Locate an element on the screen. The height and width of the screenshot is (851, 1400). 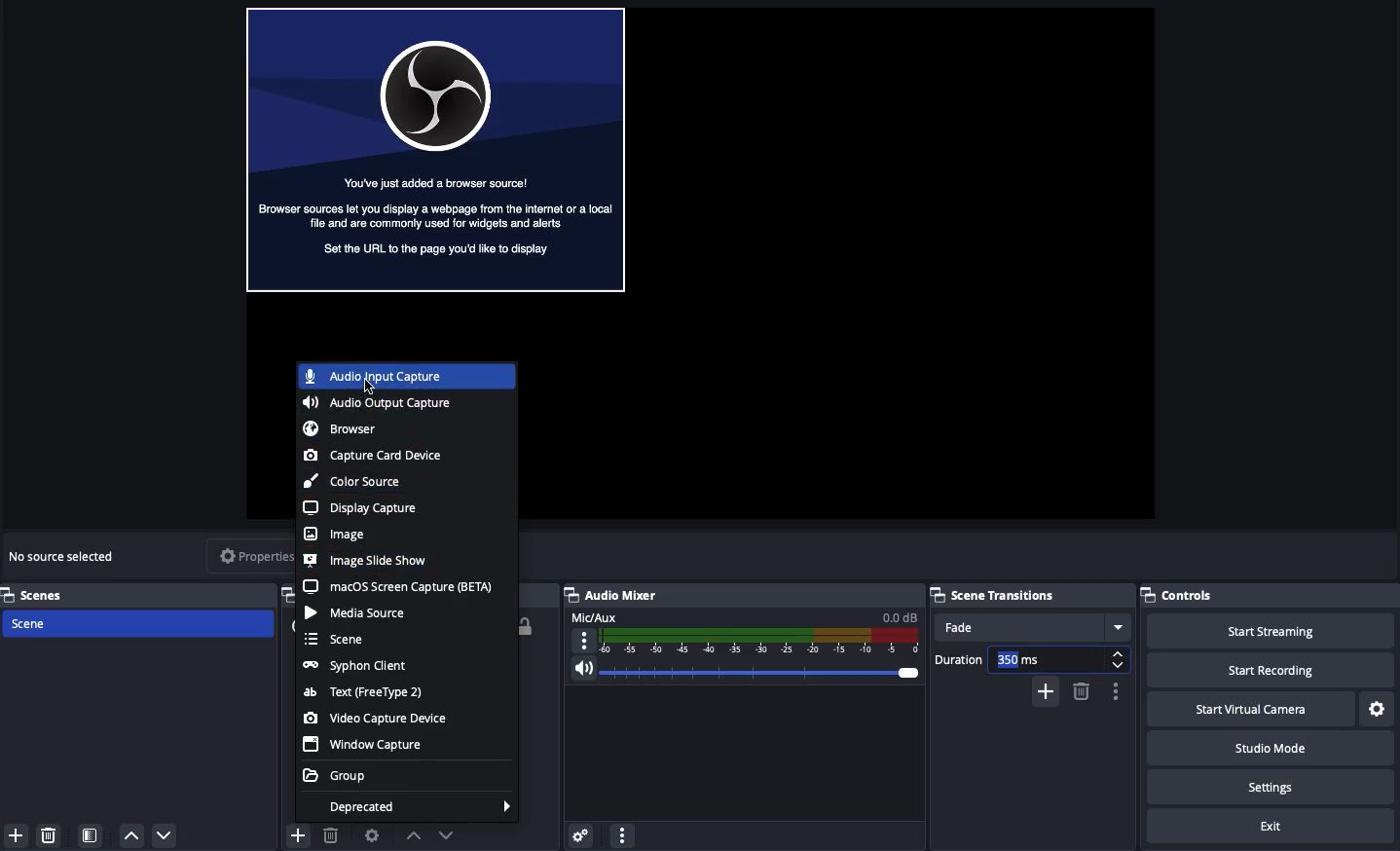
Syphon is located at coordinates (357, 666).